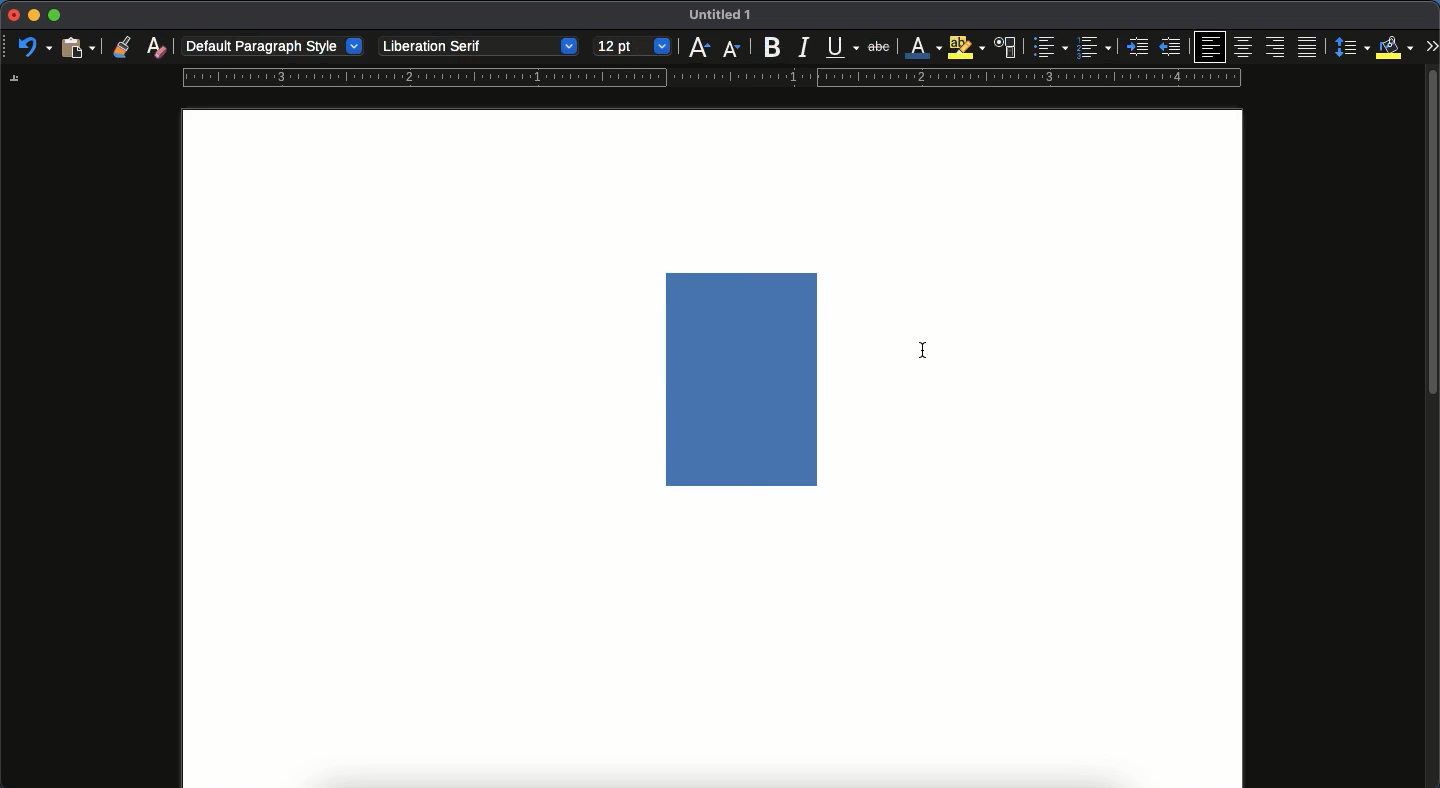 The height and width of the screenshot is (788, 1440). I want to click on clone formatting, so click(121, 47).